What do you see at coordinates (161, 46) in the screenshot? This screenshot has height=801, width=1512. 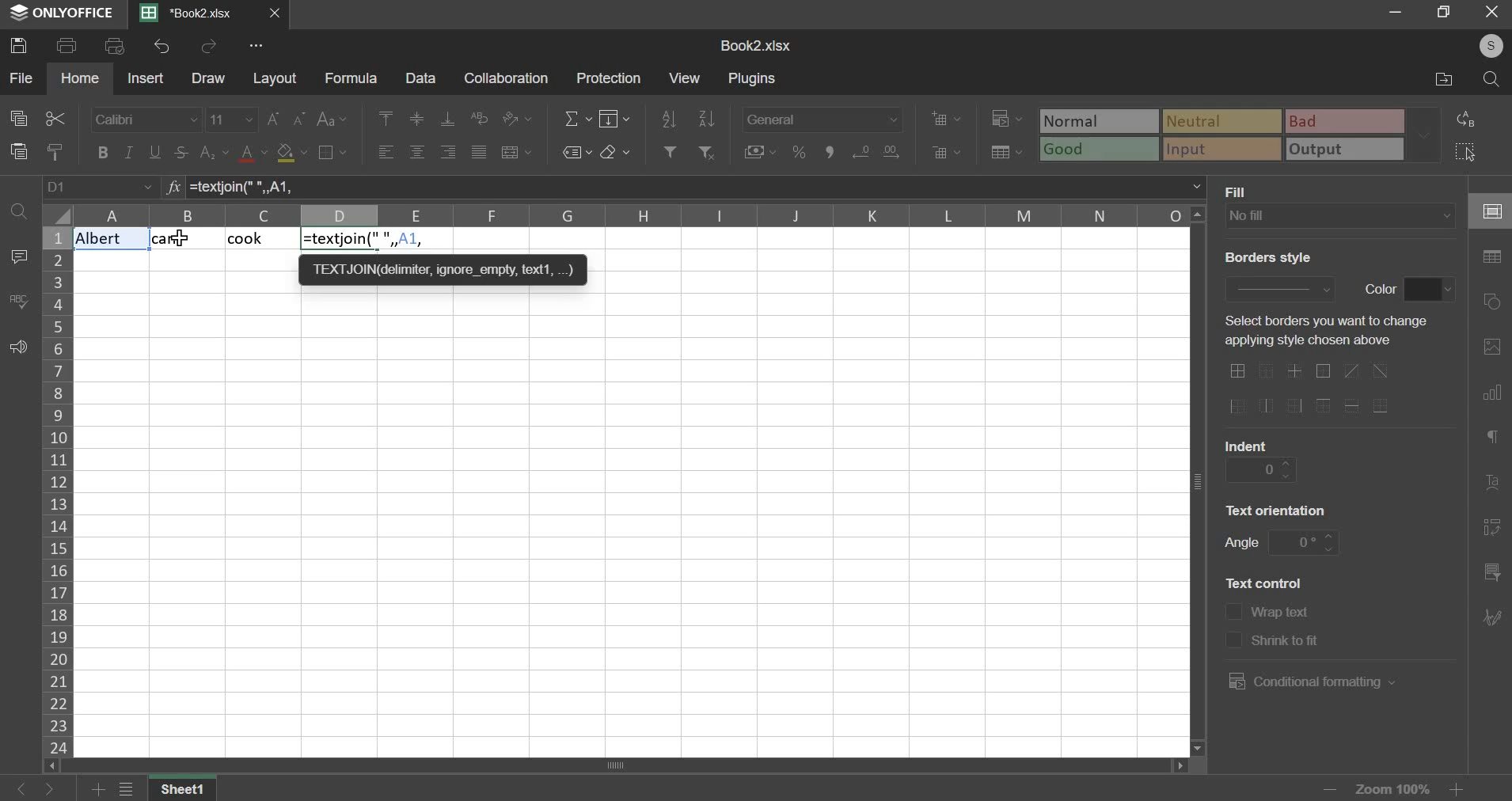 I see `undo` at bounding box center [161, 46].